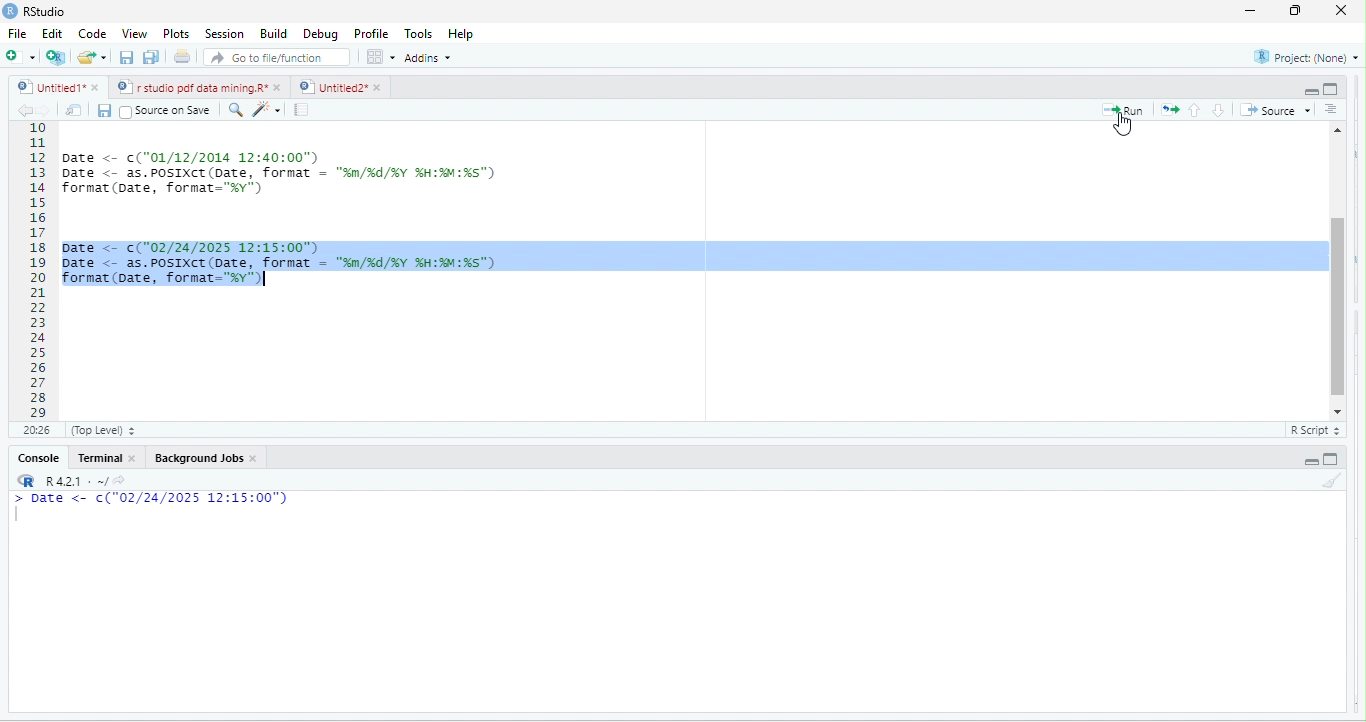  Describe the element at coordinates (137, 461) in the screenshot. I see `close` at that location.